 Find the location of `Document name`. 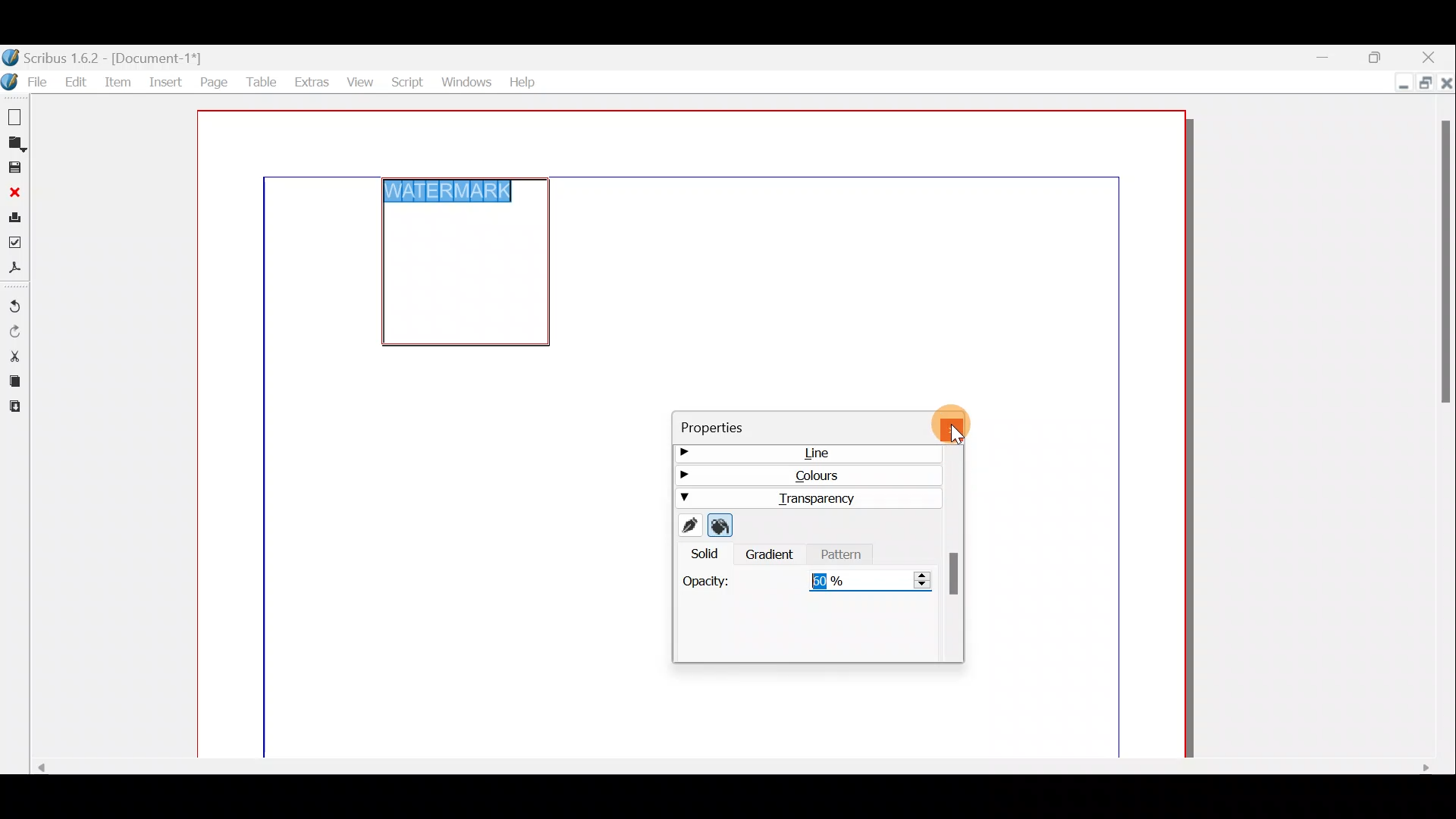

Document name is located at coordinates (105, 58).